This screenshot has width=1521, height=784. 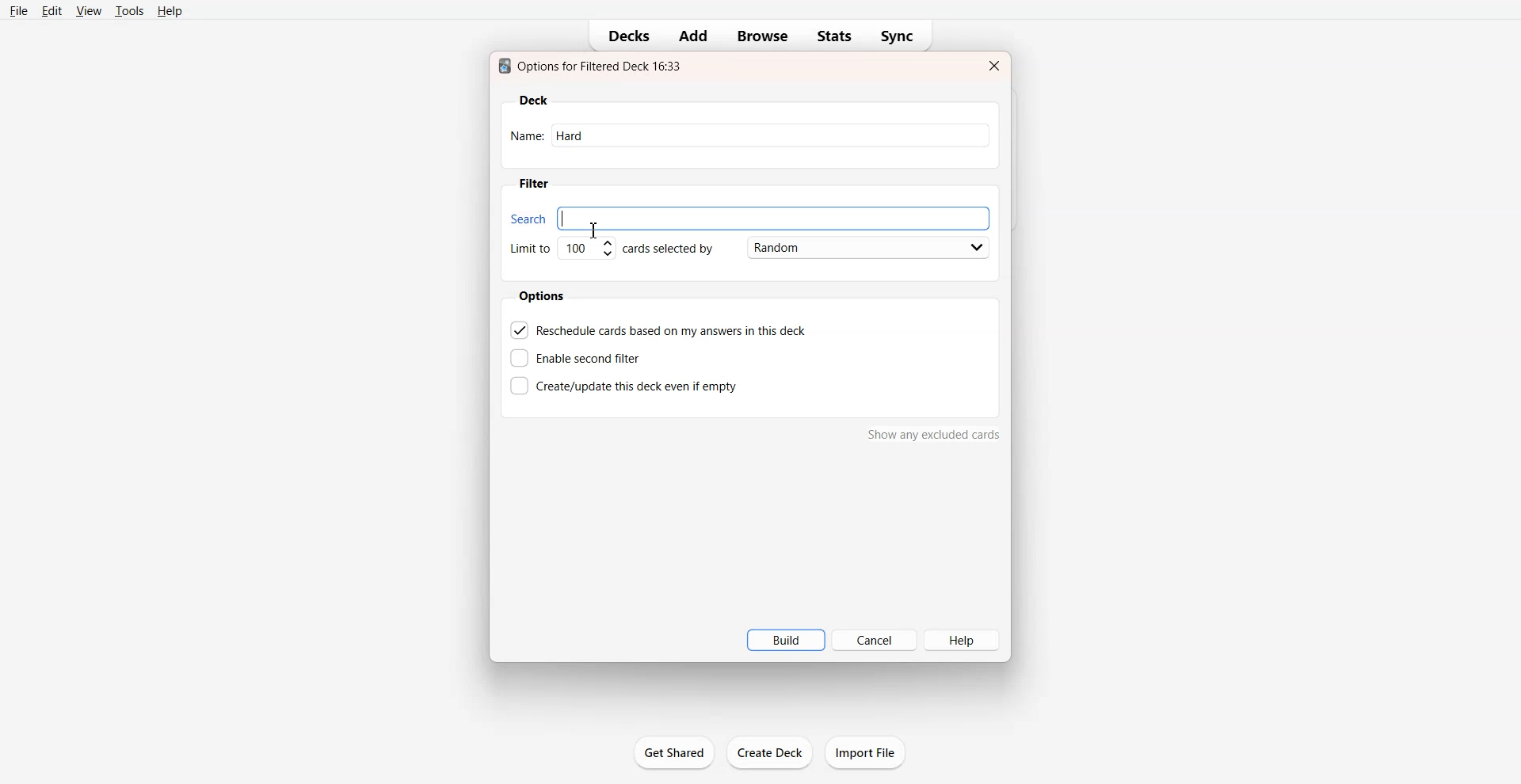 What do you see at coordinates (544, 296) in the screenshot?
I see `Options` at bounding box center [544, 296].